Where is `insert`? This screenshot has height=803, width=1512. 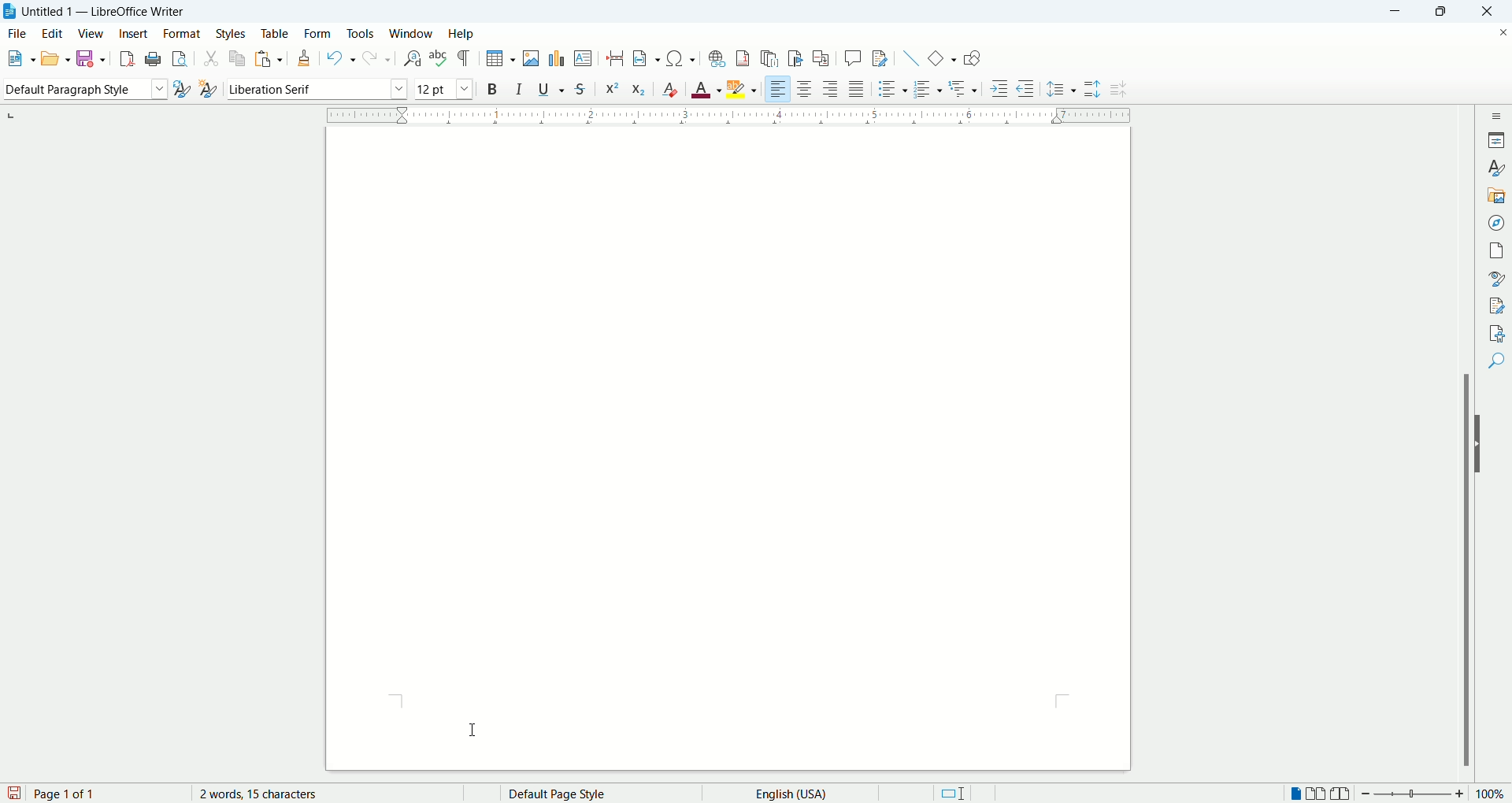 insert is located at coordinates (133, 33).